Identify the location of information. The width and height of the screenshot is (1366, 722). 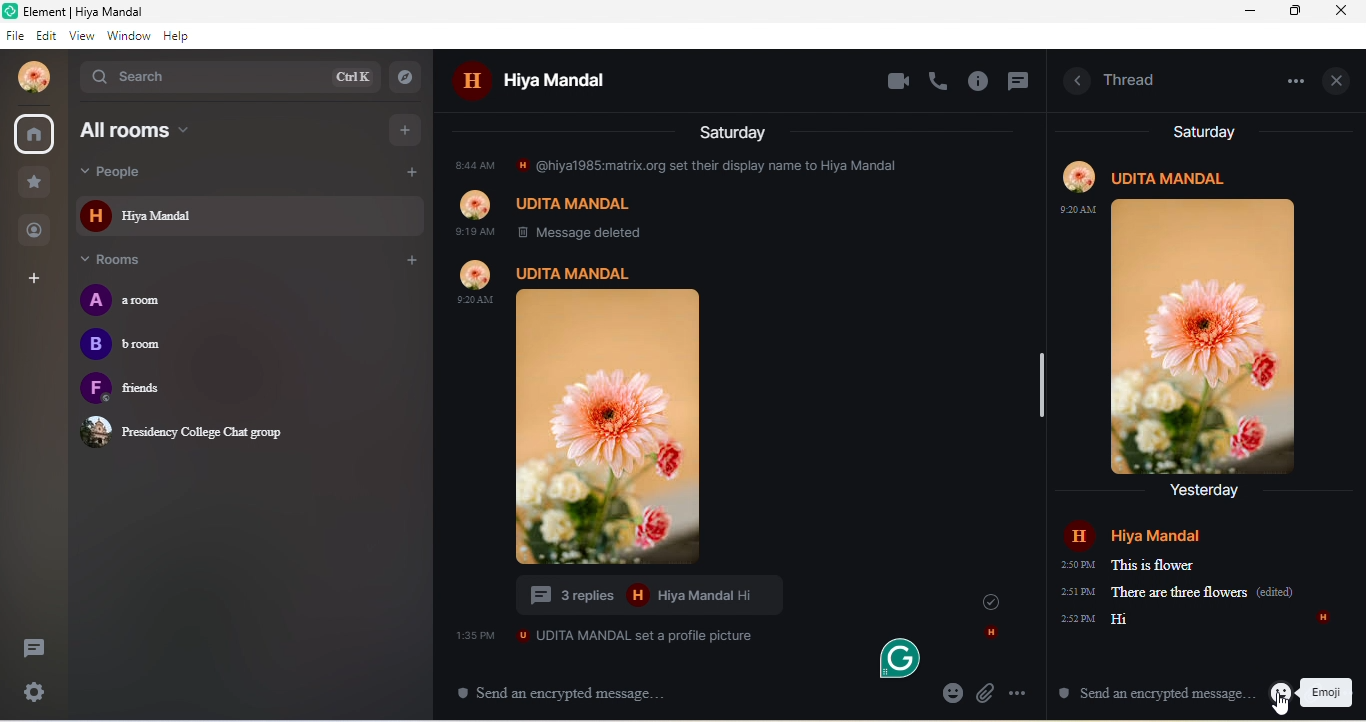
(978, 81).